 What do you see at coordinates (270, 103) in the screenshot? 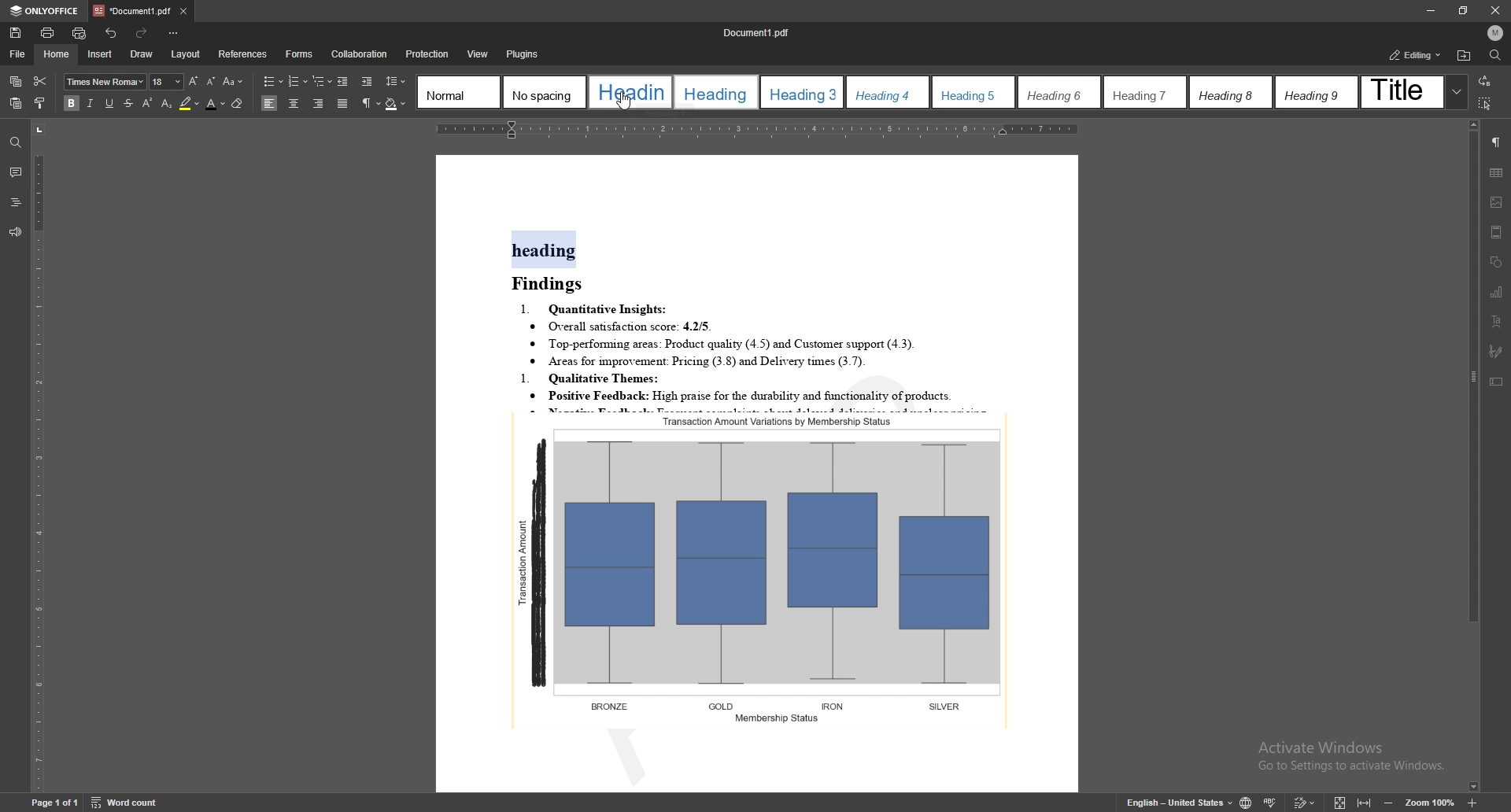
I see `align left` at bounding box center [270, 103].